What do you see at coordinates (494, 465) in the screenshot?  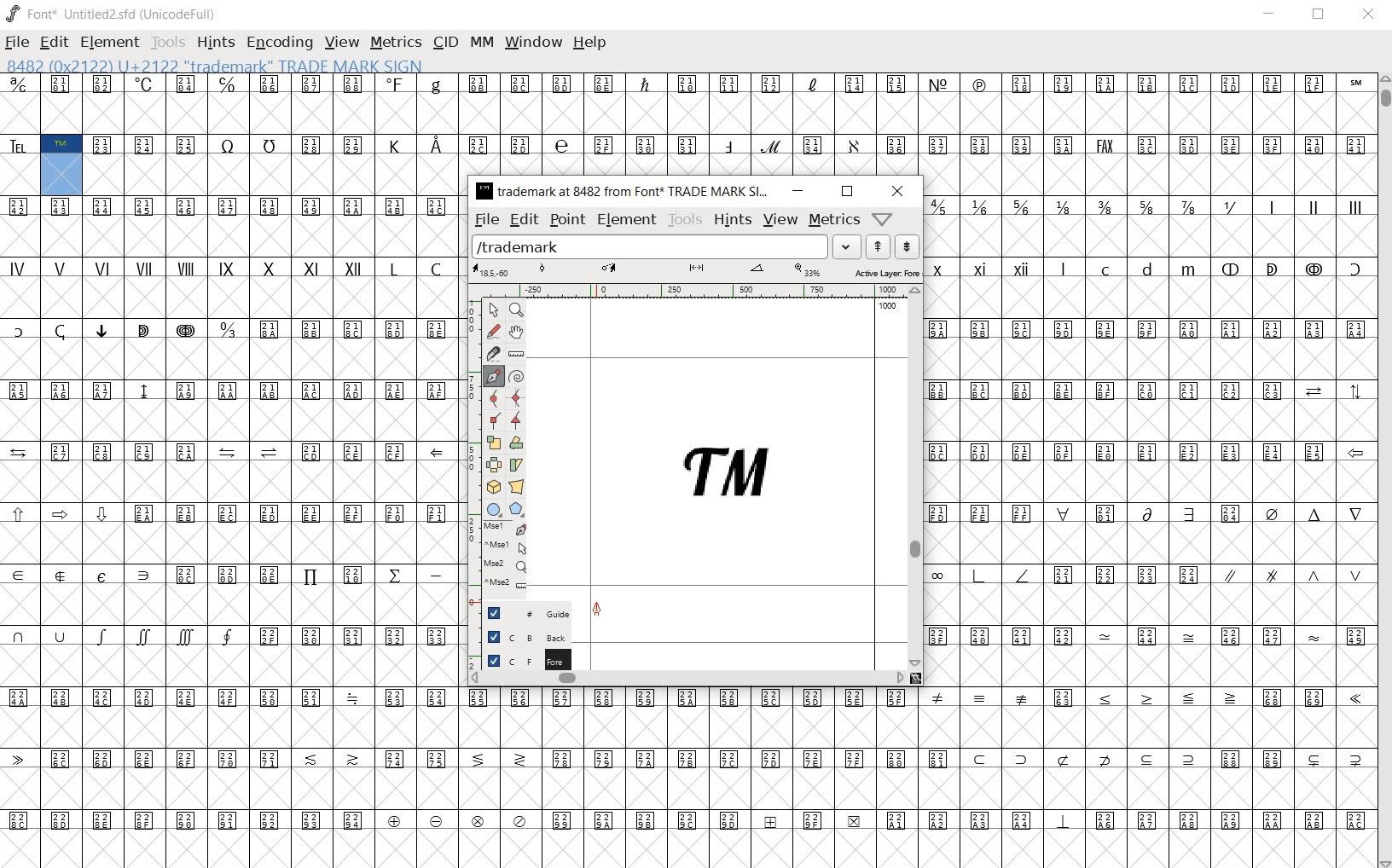 I see `flip the selection` at bounding box center [494, 465].